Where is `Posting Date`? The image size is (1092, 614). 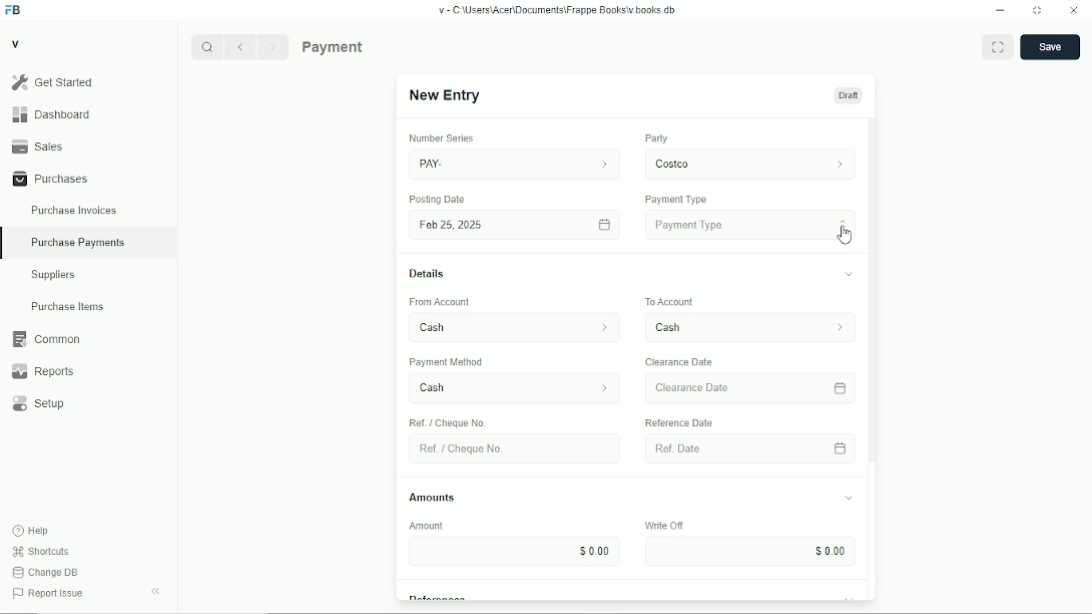 Posting Date is located at coordinates (438, 200).